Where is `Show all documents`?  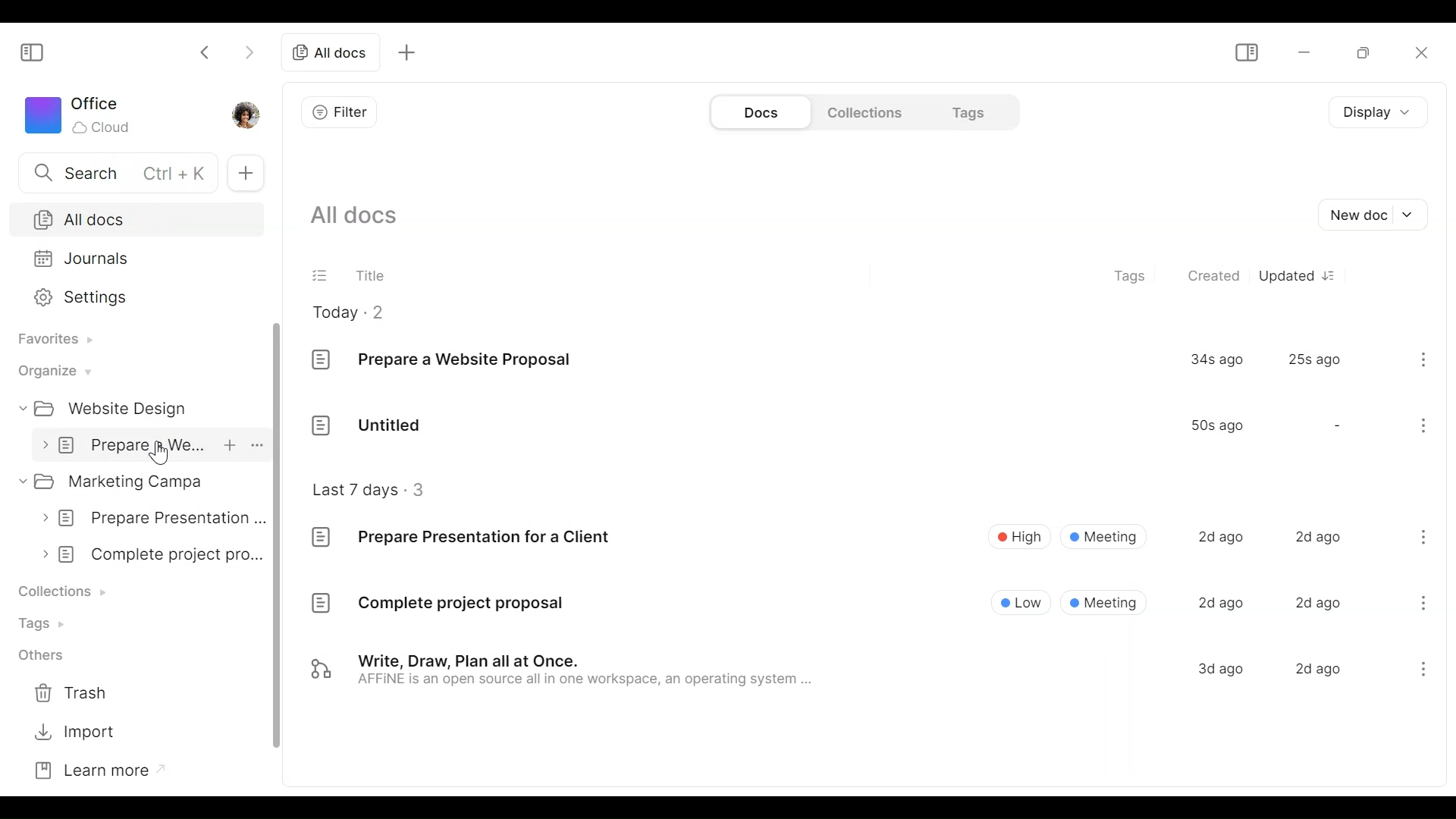 Show all documents is located at coordinates (354, 217).